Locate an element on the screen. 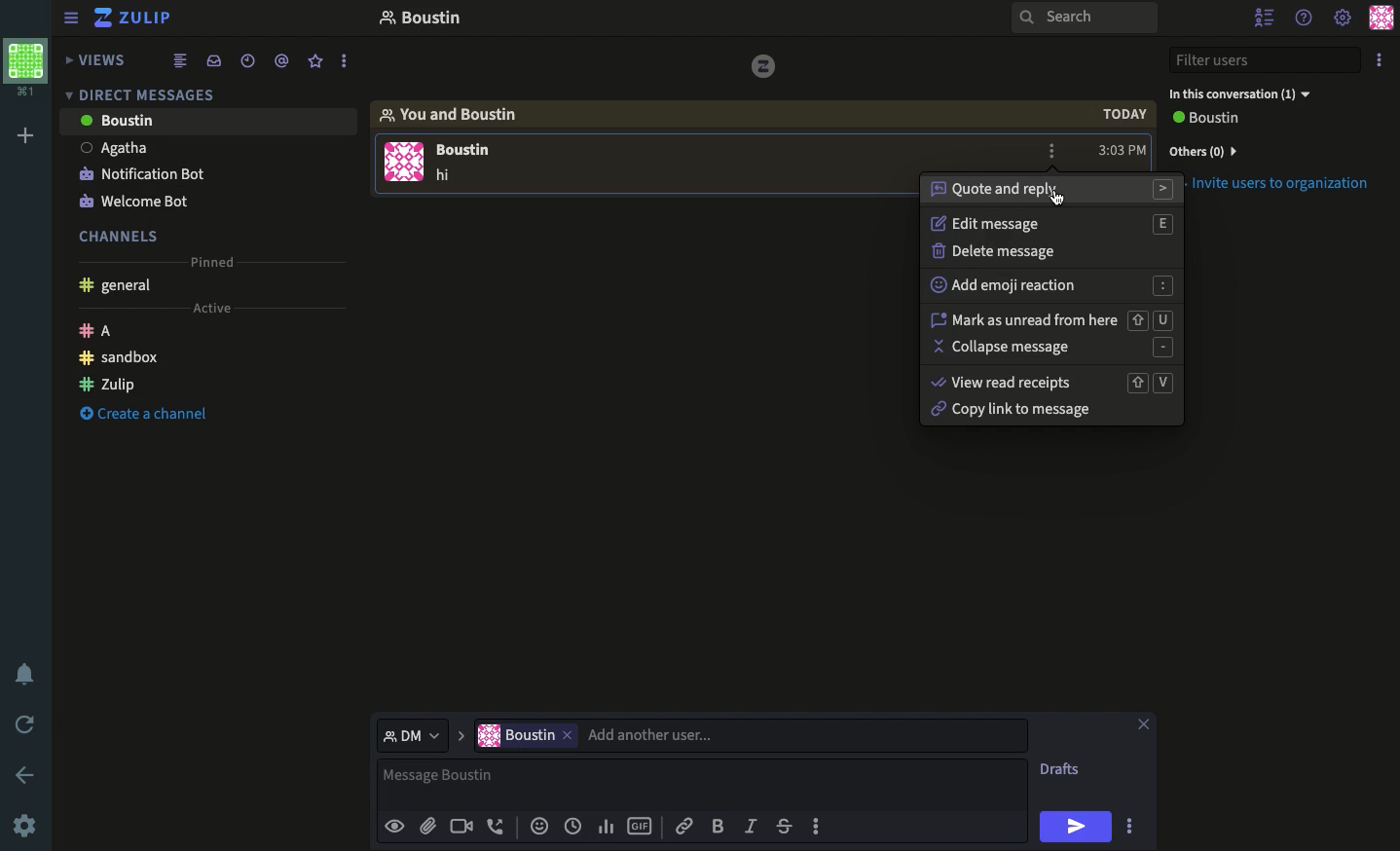 This screenshot has width=1400, height=851. Workspace profile is located at coordinates (23, 68).